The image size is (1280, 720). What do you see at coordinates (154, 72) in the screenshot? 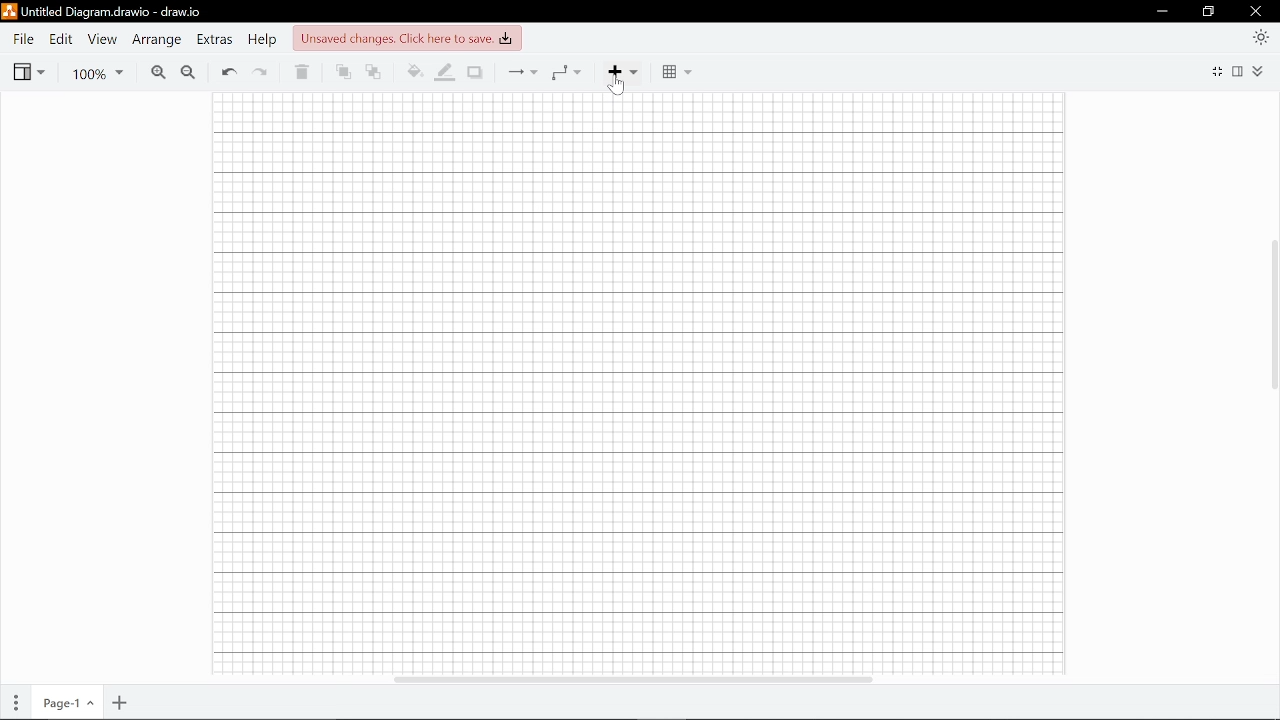
I see `Zoom in` at bounding box center [154, 72].